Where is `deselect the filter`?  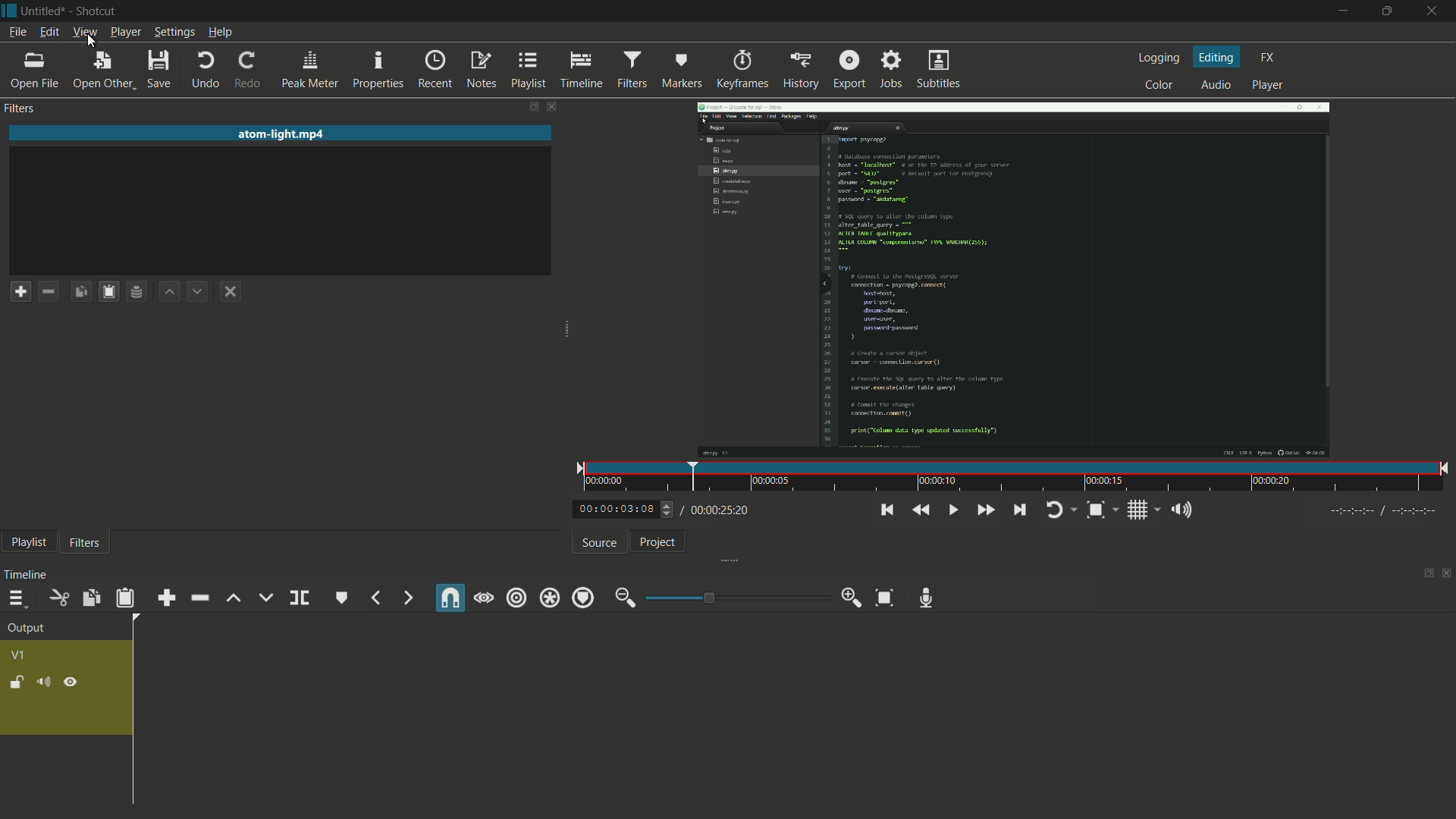
deselect the filter is located at coordinates (231, 293).